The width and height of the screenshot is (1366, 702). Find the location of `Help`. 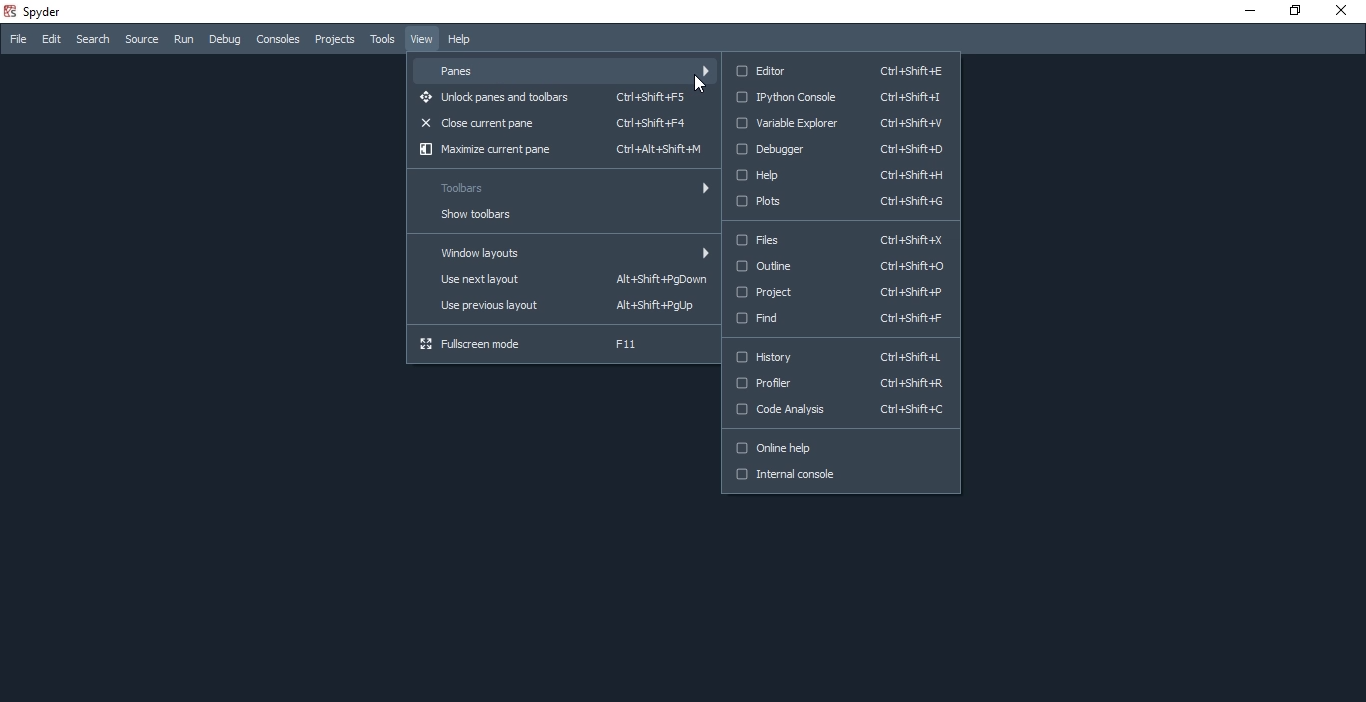

Help is located at coordinates (464, 40).